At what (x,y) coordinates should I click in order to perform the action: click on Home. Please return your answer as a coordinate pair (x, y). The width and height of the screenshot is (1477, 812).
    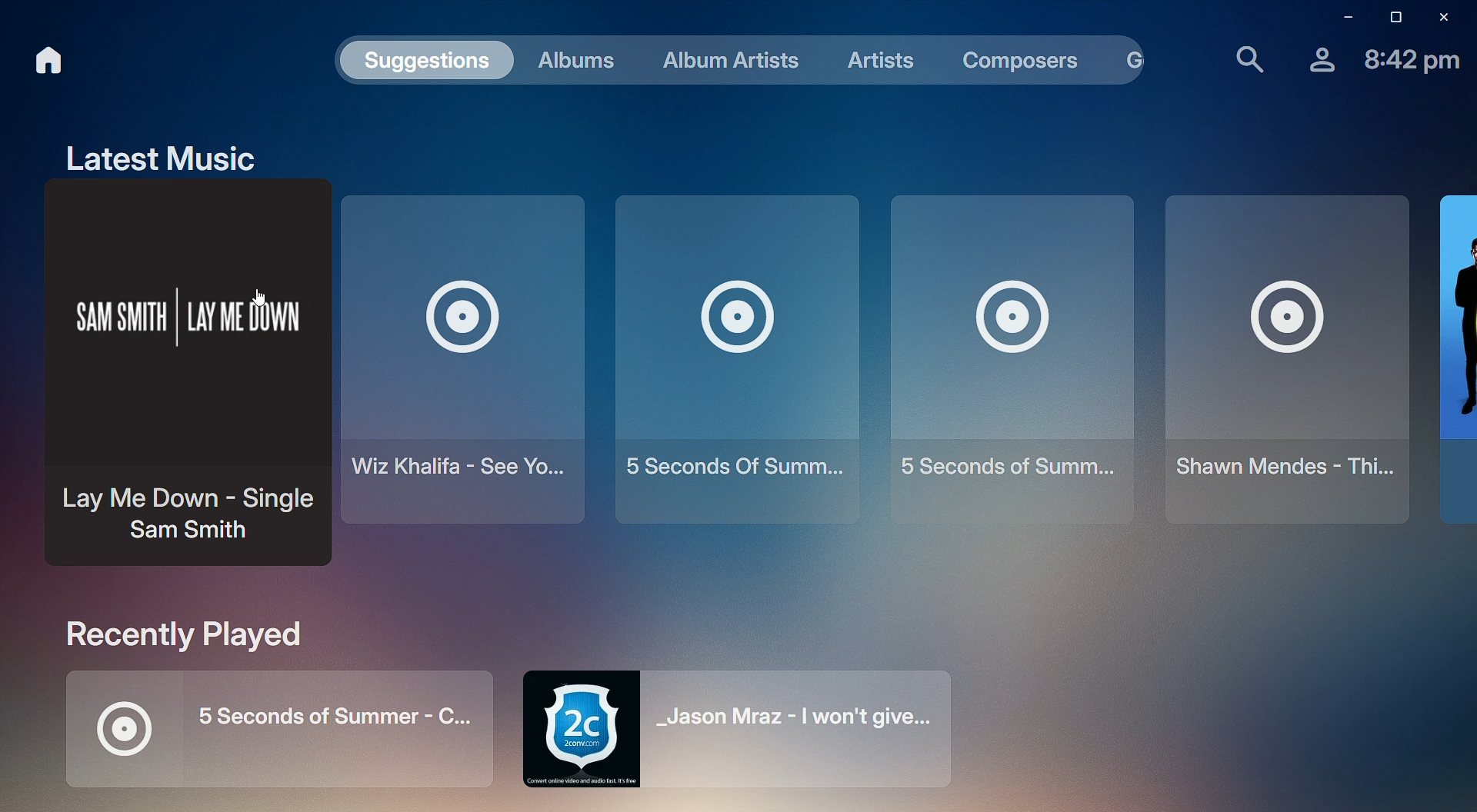
    Looking at the image, I should click on (51, 58).